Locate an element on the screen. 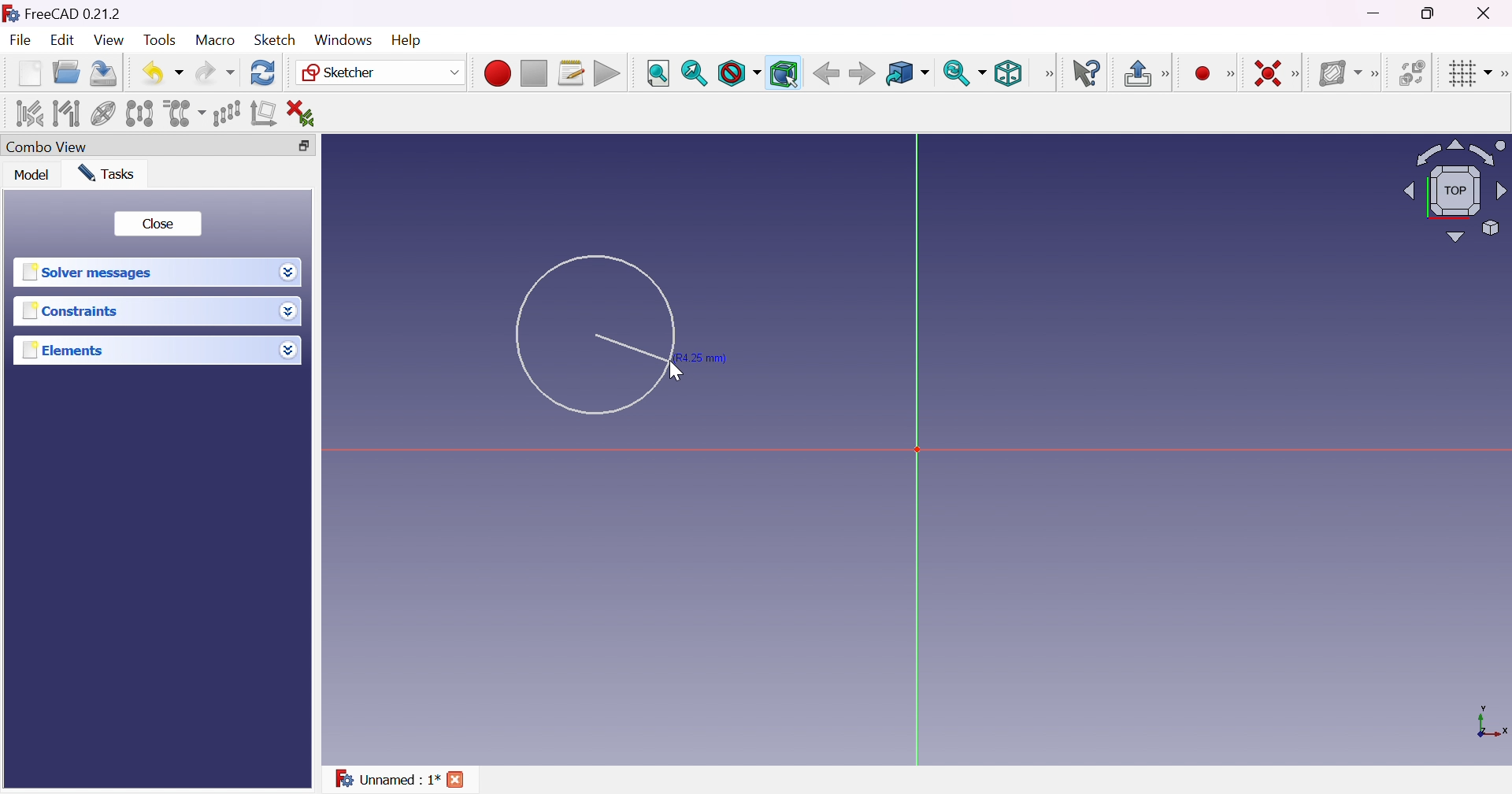 The width and height of the screenshot is (1512, 794). Toggle grid is located at coordinates (1469, 74).